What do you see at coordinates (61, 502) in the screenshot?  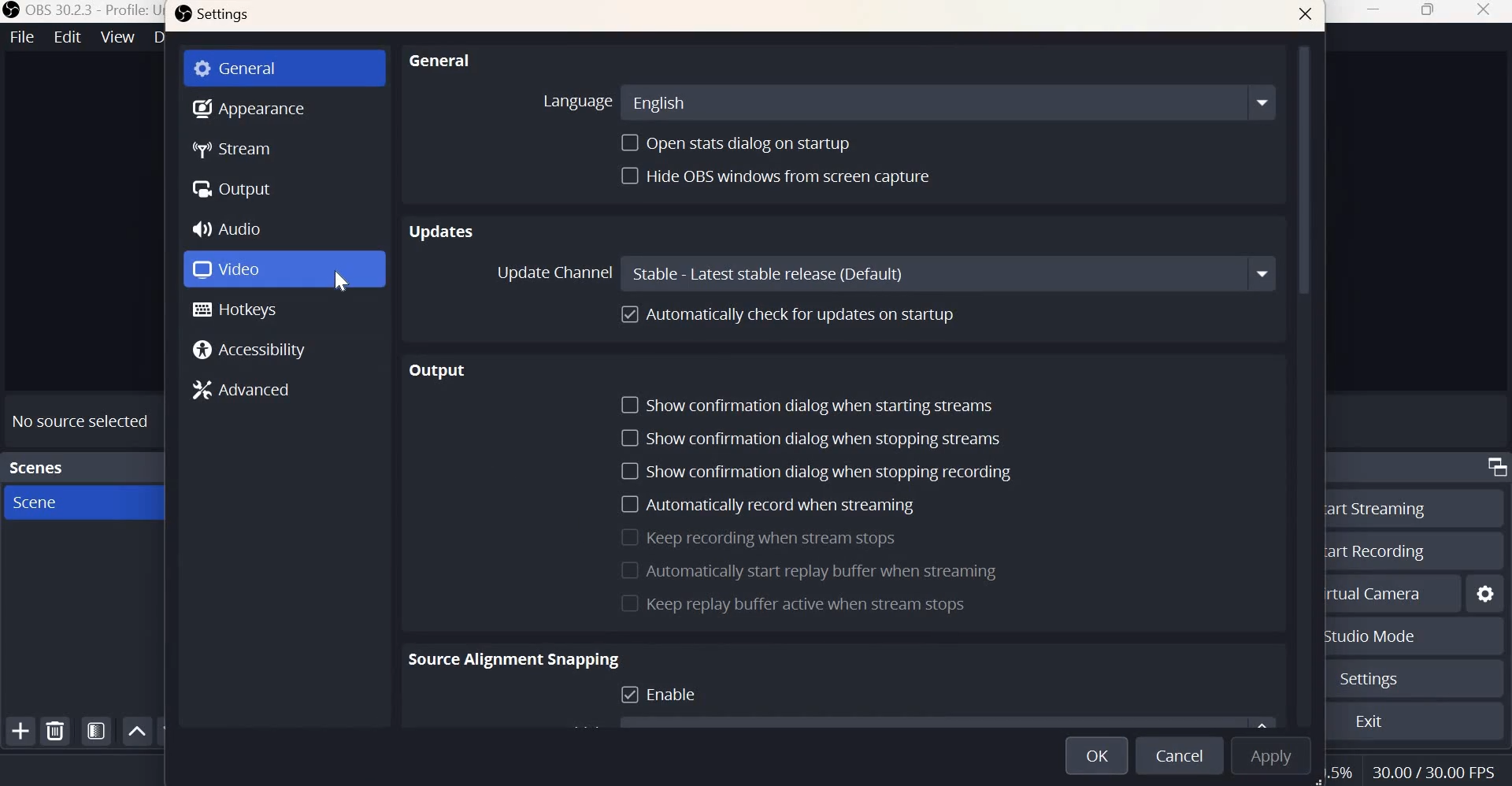 I see `Scene` at bounding box center [61, 502].